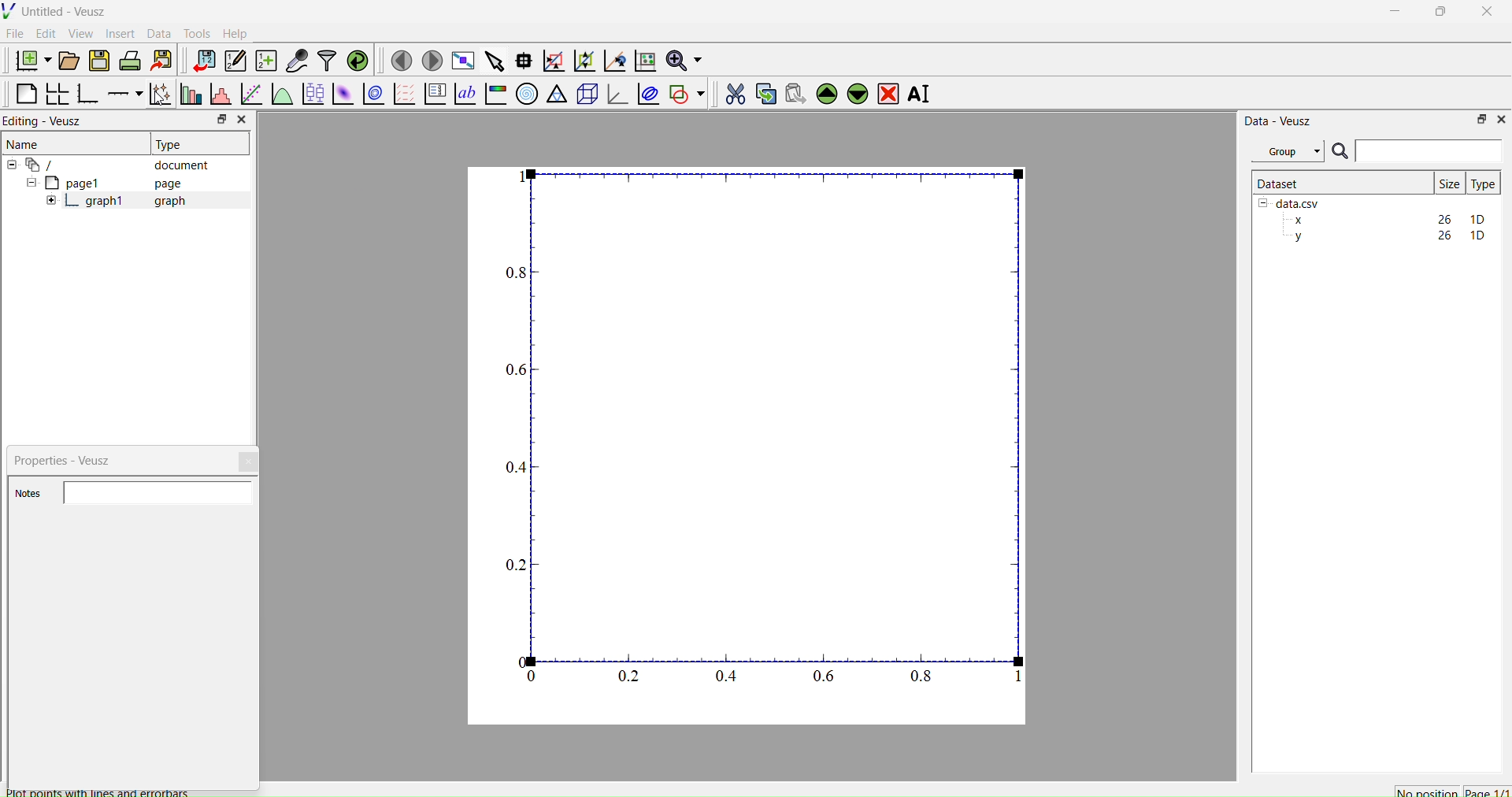 The height and width of the screenshot is (797, 1512). Describe the element at coordinates (250, 95) in the screenshot. I see `Fit a function to data` at that location.